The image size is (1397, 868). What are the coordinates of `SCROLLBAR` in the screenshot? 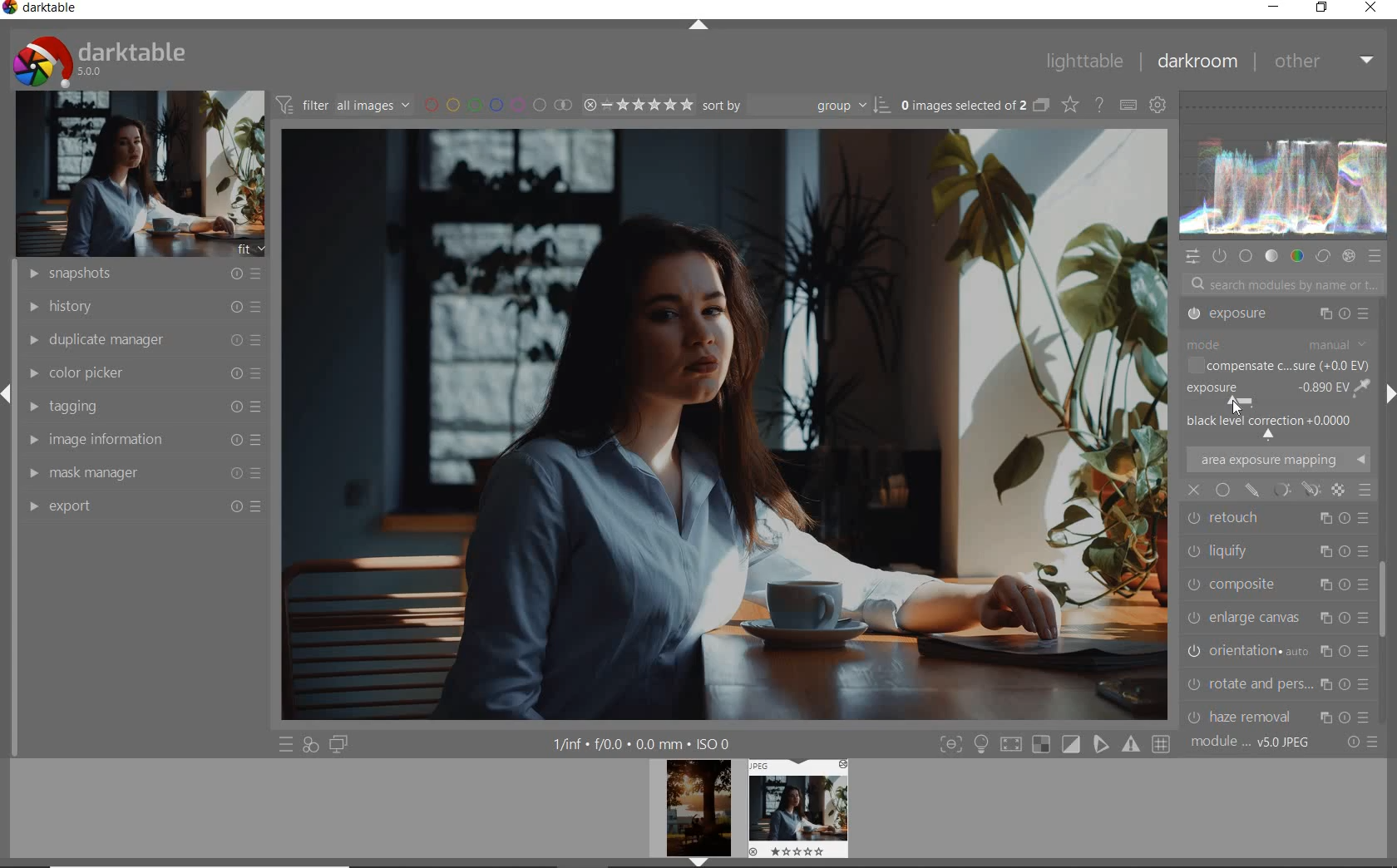 It's located at (1386, 608).